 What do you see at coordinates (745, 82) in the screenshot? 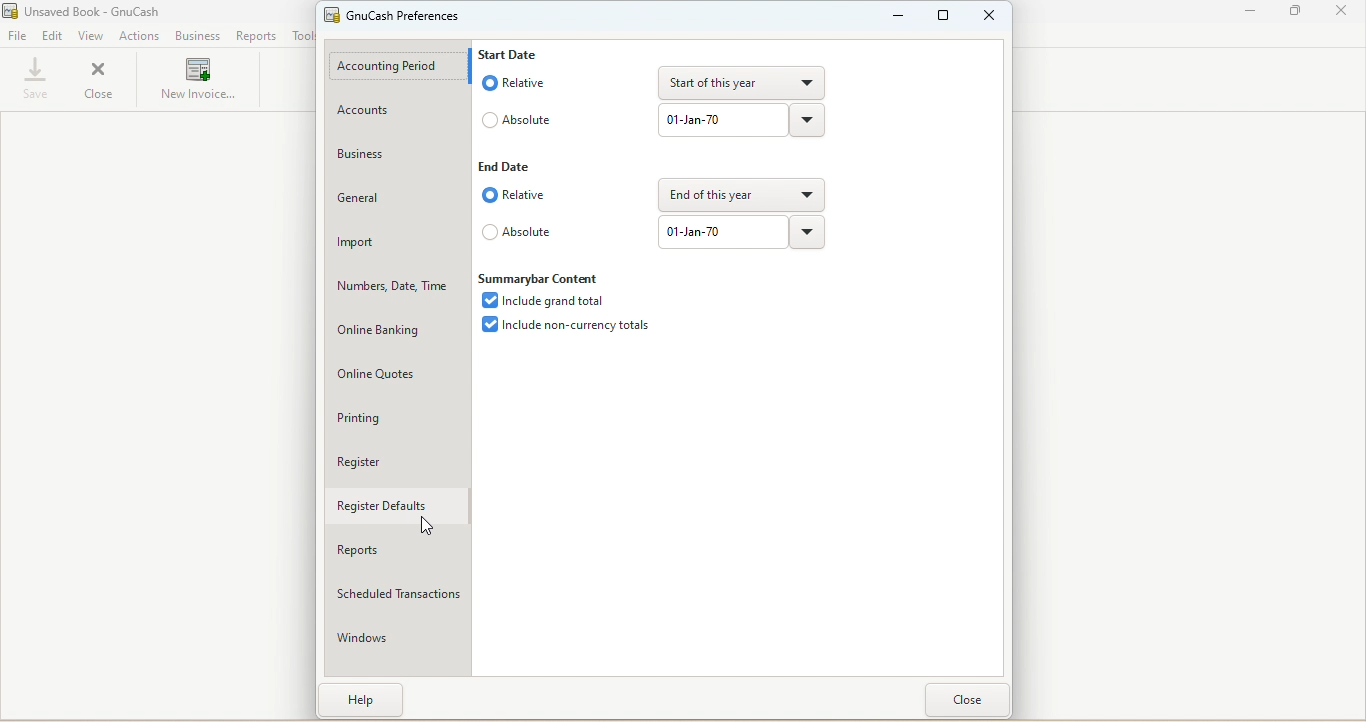
I see `Drop down` at bounding box center [745, 82].